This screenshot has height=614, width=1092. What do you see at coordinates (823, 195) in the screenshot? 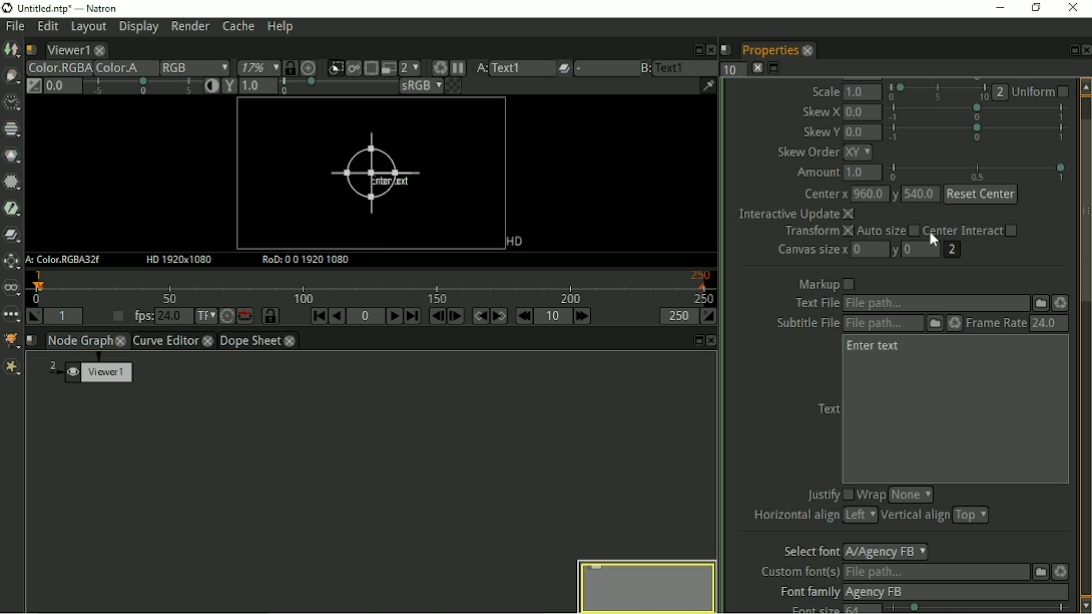
I see `Center` at bounding box center [823, 195].